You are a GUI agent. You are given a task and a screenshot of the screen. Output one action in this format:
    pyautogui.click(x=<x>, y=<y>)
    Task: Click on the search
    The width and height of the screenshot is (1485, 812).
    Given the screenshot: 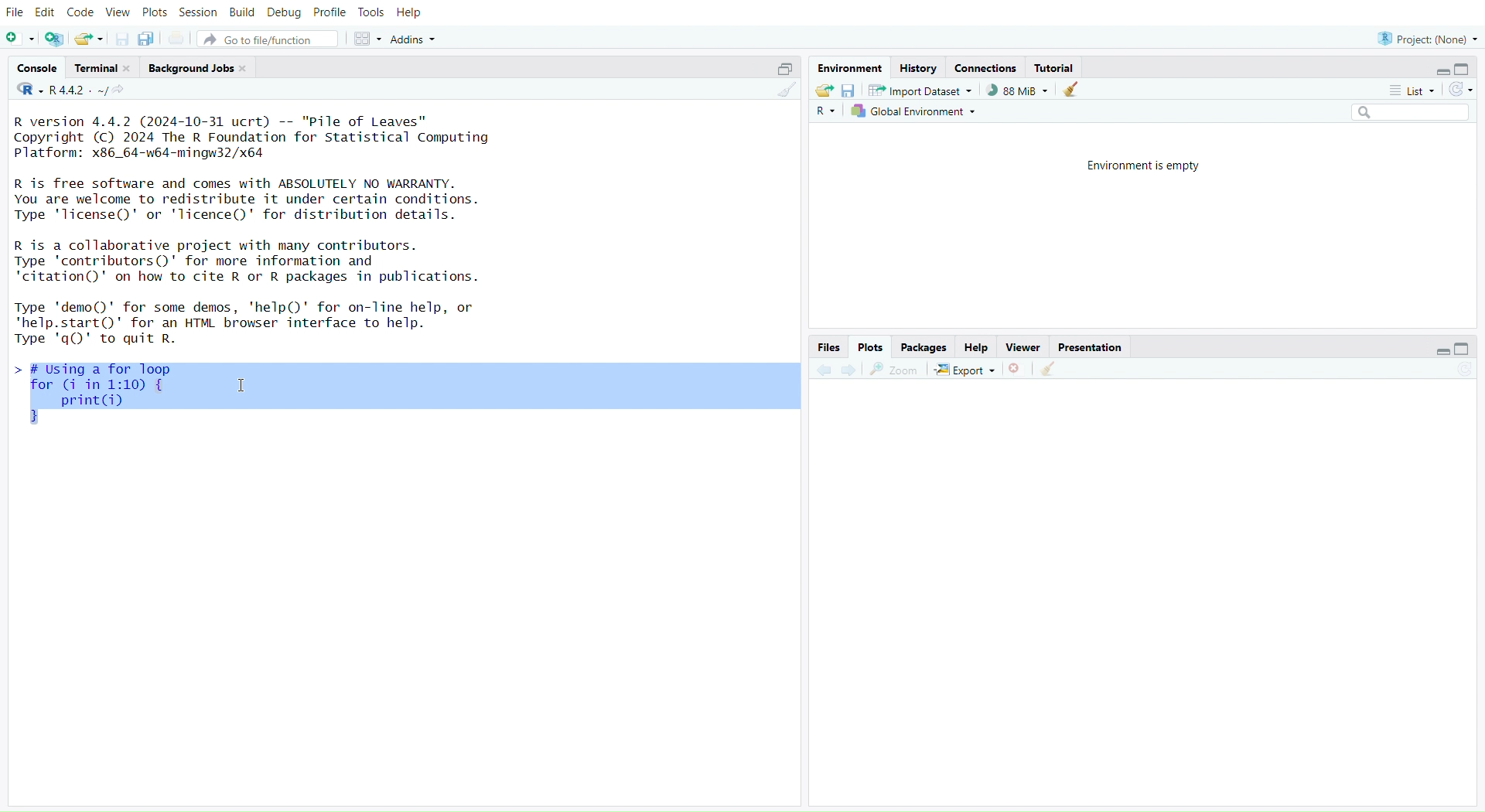 What is the action you would take?
    pyautogui.click(x=1402, y=113)
    